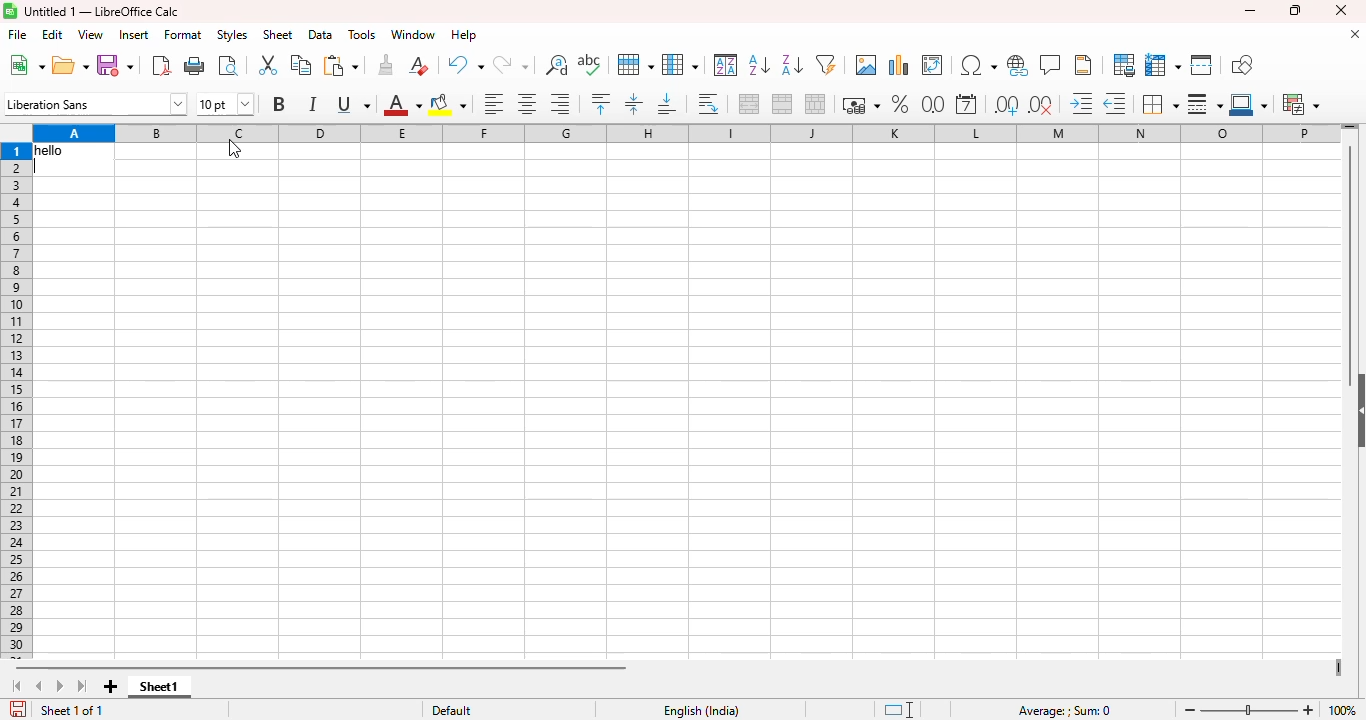 The width and height of the screenshot is (1366, 720). What do you see at coordinates (899, 710) in the screenshot?
I see `standard selection` at bounding box center [899, 710].